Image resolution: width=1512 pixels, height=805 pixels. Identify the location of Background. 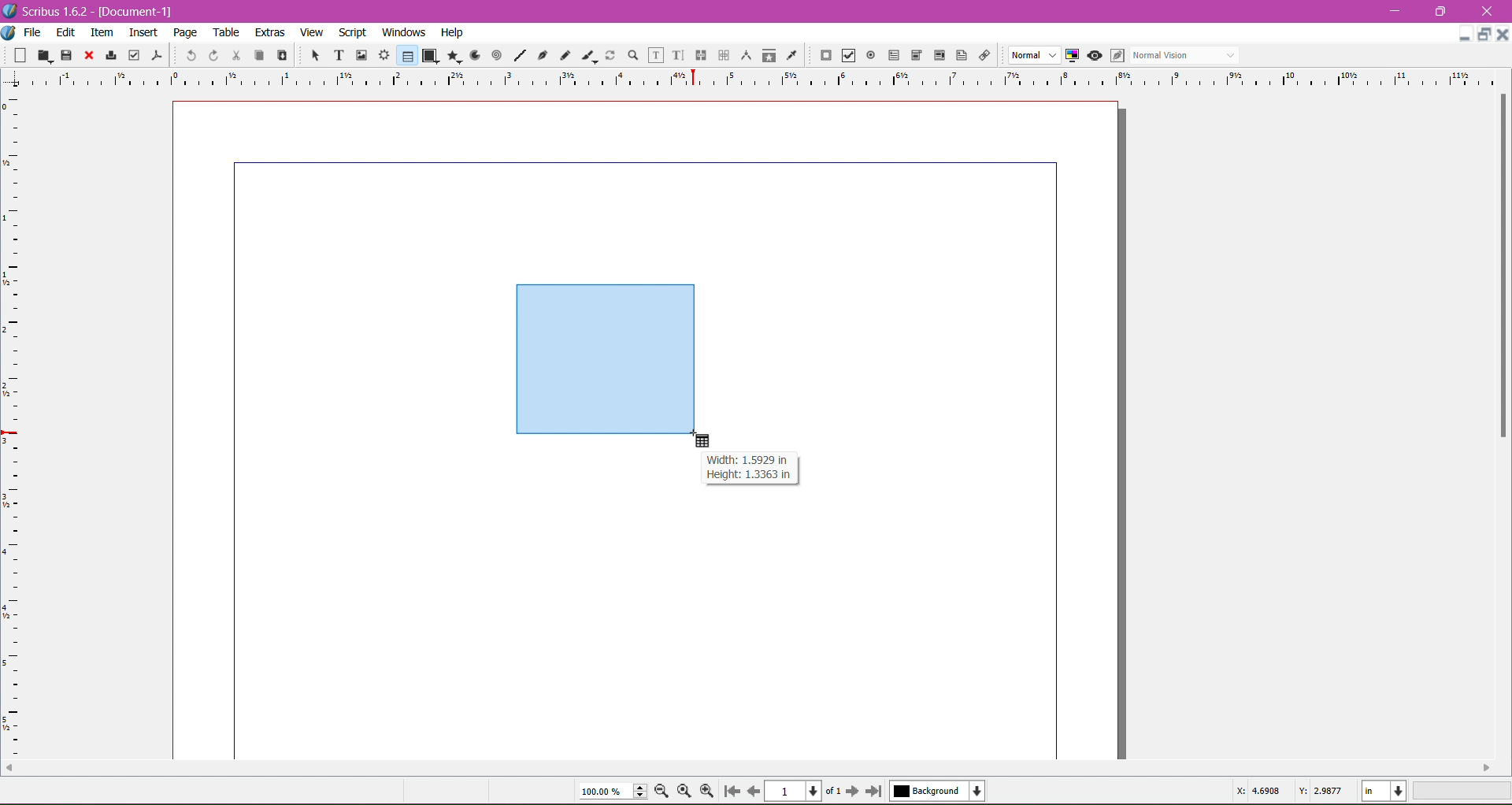
(941, 791).